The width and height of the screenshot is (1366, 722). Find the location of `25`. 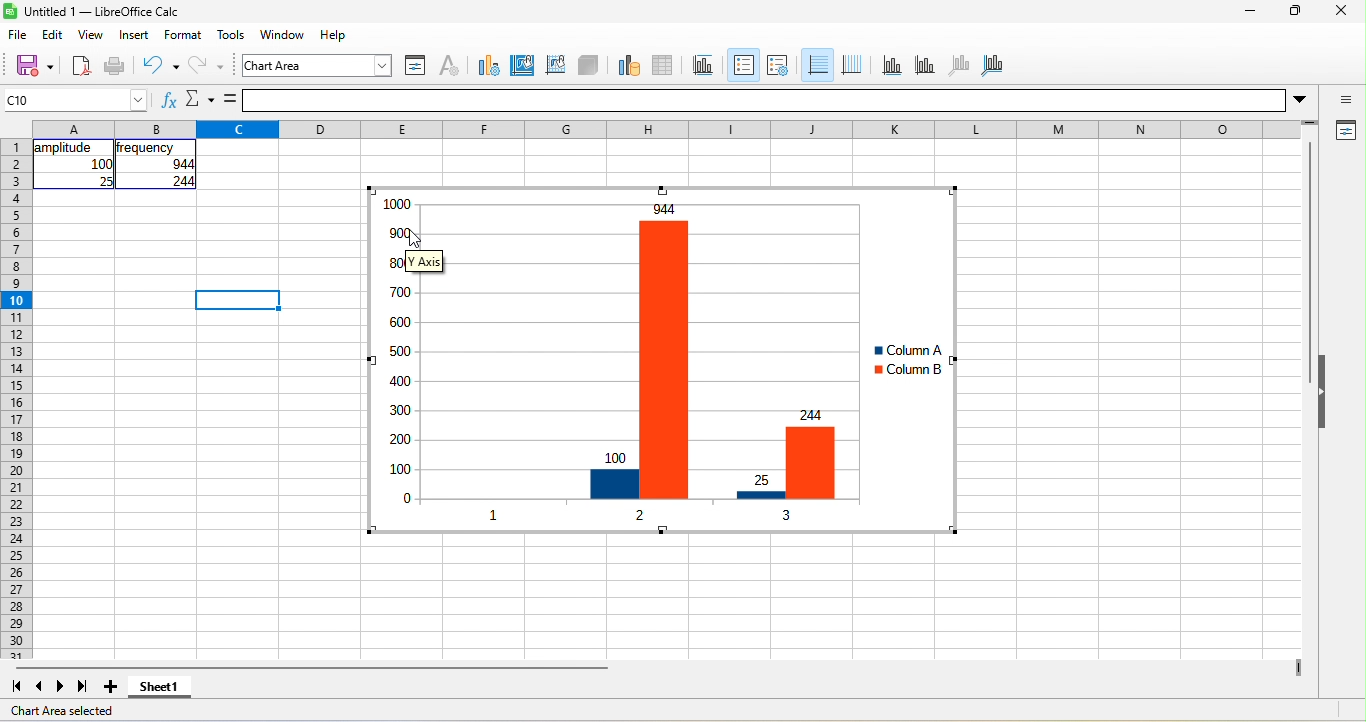

25 is located at coordinates (104, 181).